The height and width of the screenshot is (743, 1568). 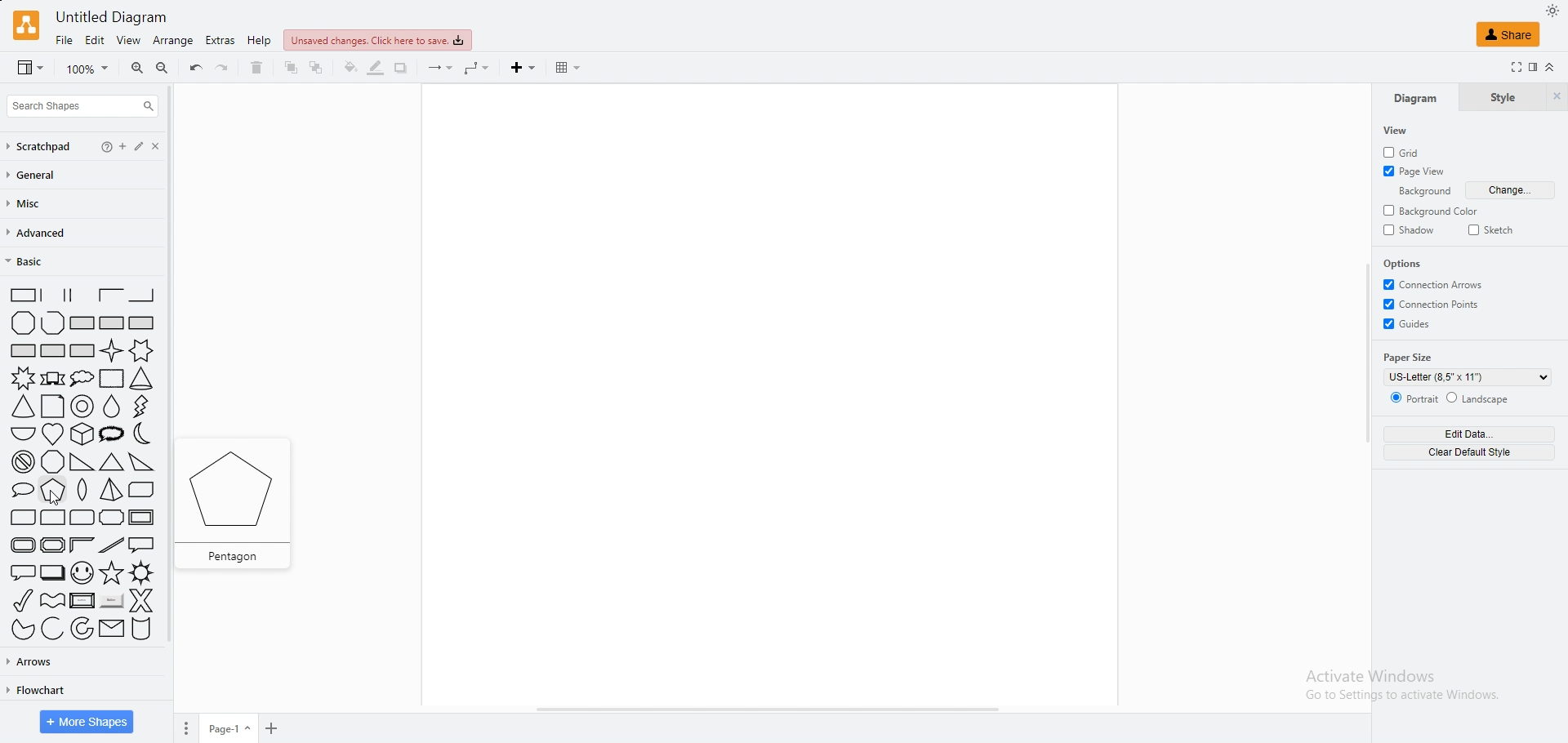 I want to click on diagonal snip rectangle, so click(x=142, y=491).